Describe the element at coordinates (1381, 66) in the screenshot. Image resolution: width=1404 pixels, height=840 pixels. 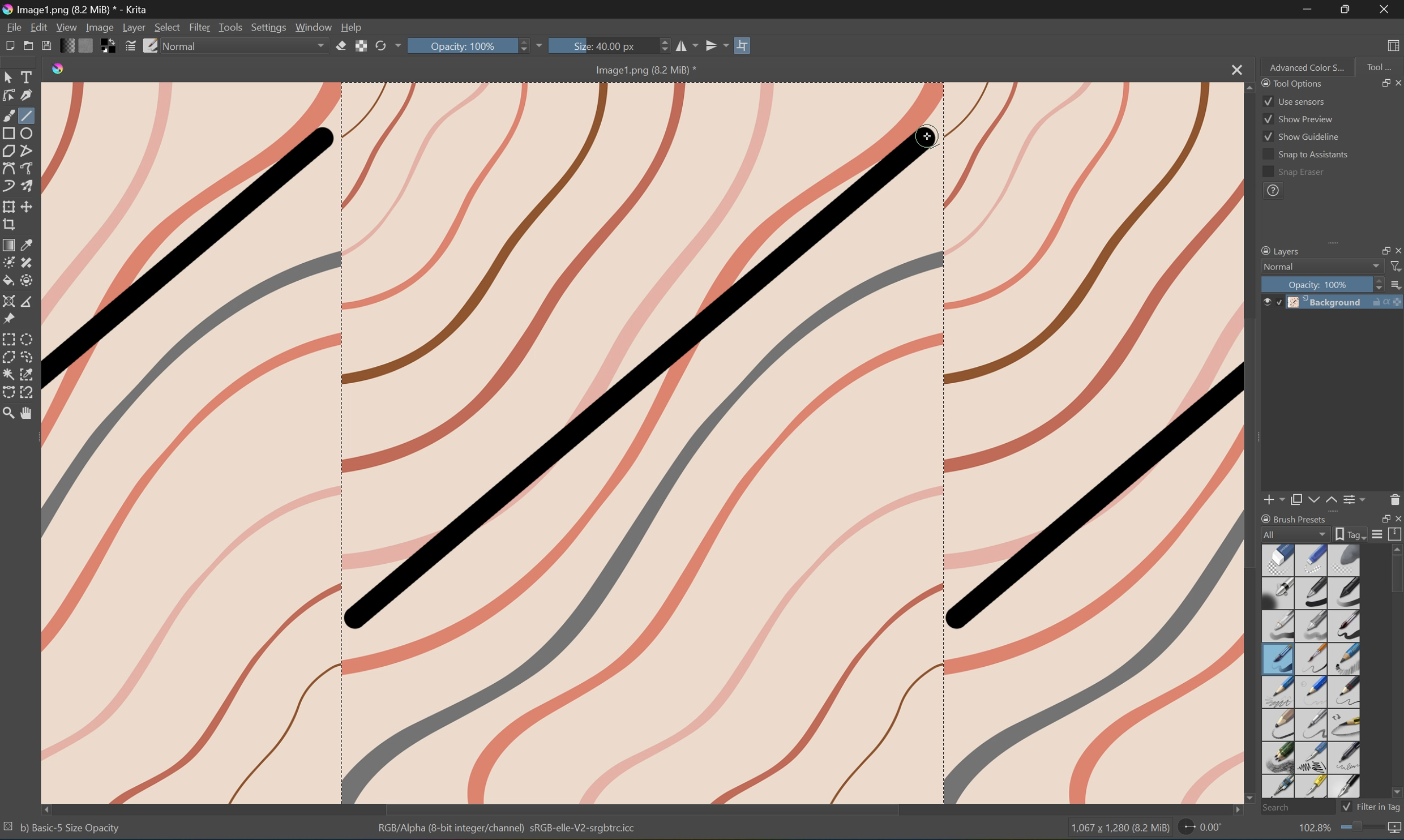
I see `Tool...` at that location.